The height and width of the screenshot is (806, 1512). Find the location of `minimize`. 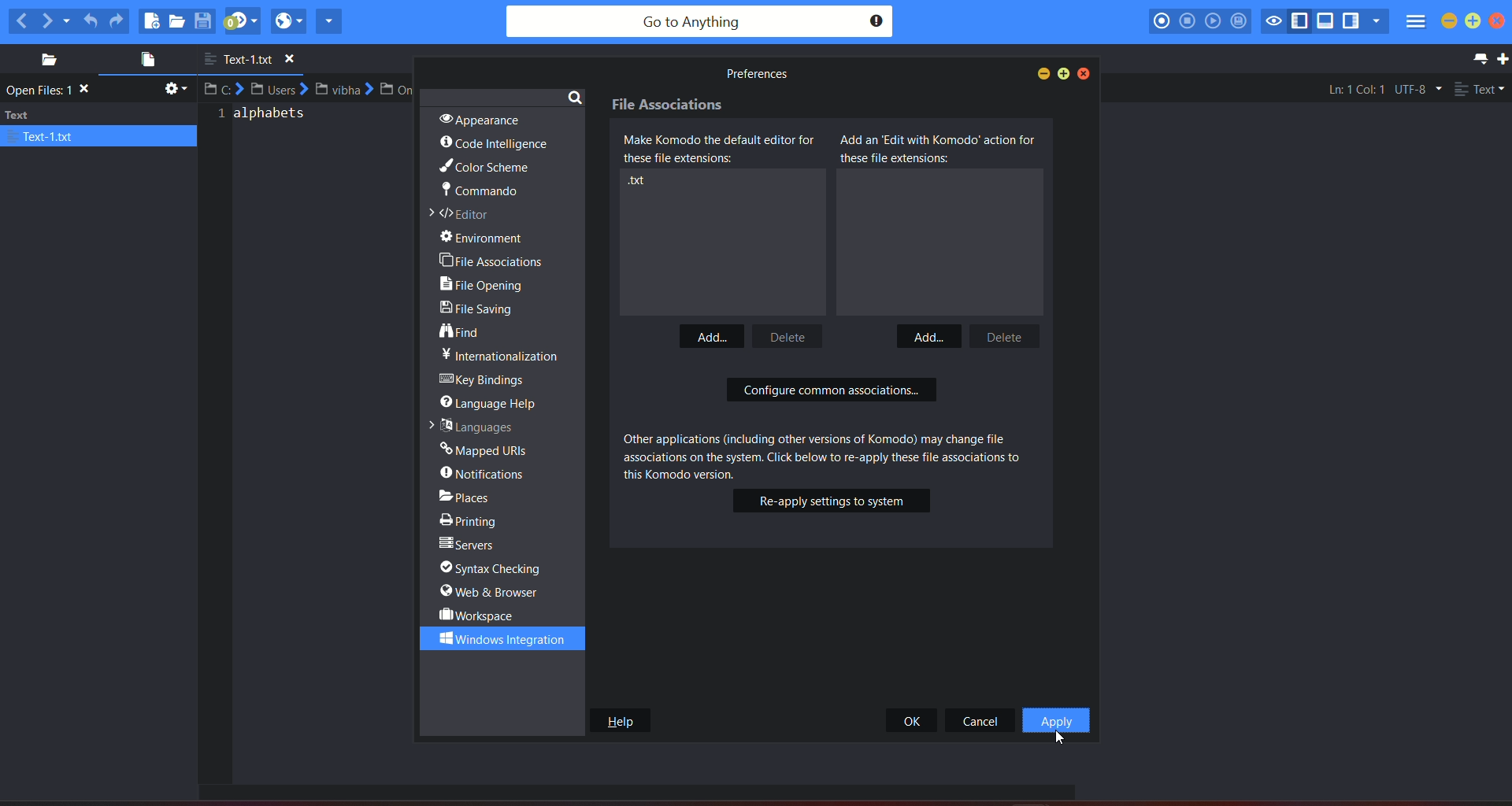

minimize is located at coordinates (1040, 73).